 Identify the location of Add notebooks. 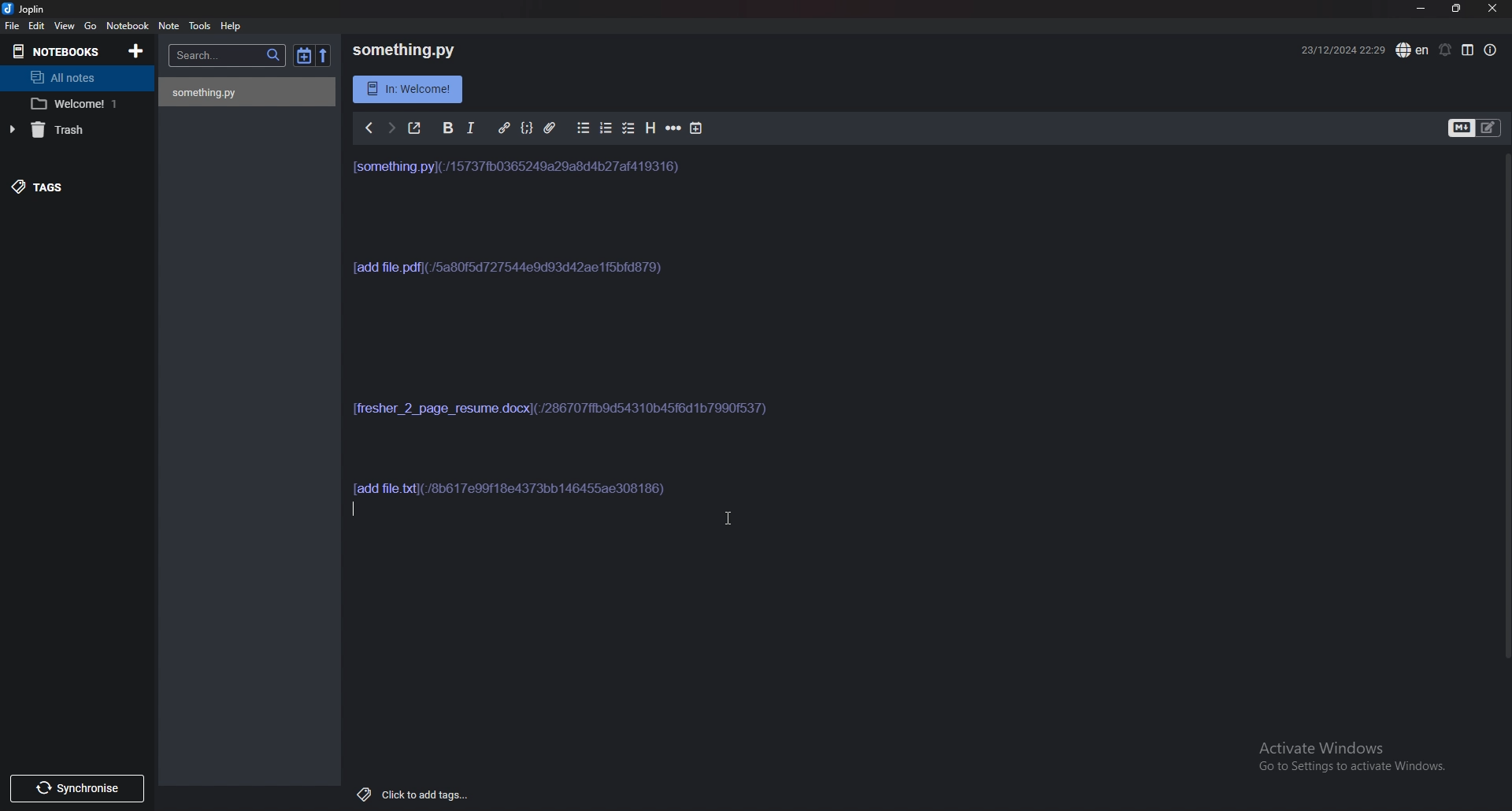
(135, 50).